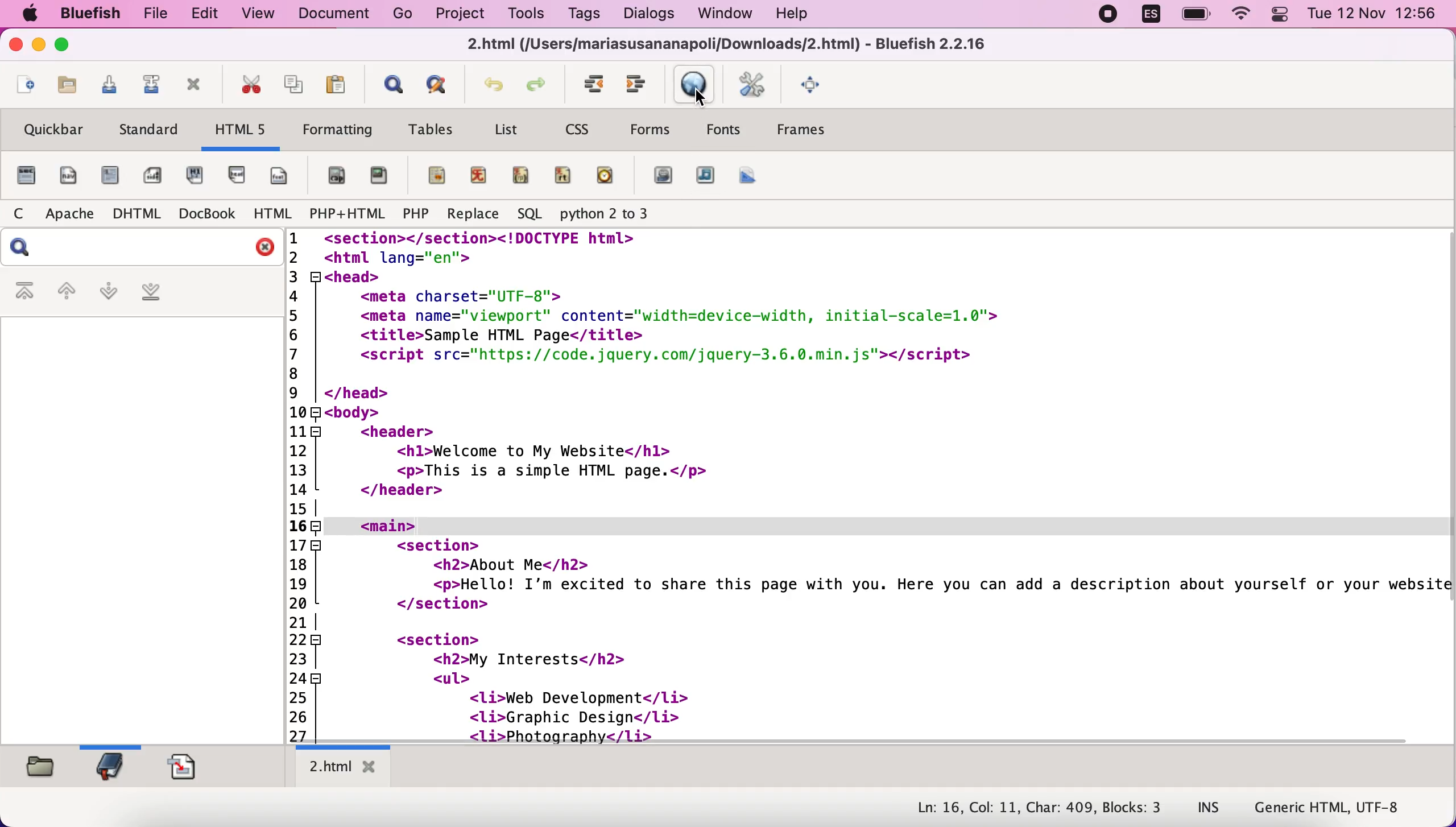 This screenshot has width=1456, height=827. Describe the element at coordinates (636, 84) in the screenshot. I see `unindent` at that location.